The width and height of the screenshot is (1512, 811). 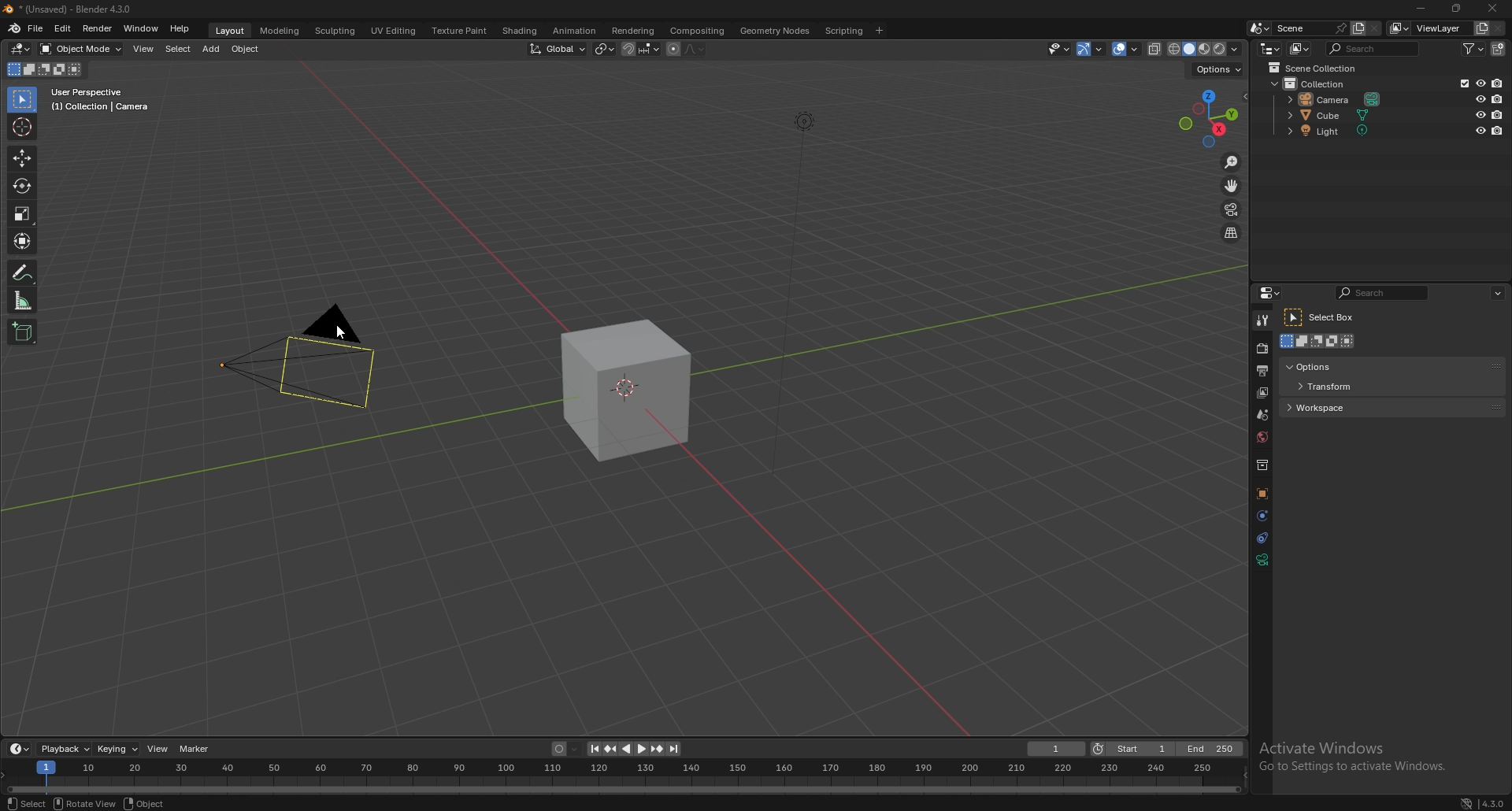 I want to click on layout, so click(x=232, y=31).